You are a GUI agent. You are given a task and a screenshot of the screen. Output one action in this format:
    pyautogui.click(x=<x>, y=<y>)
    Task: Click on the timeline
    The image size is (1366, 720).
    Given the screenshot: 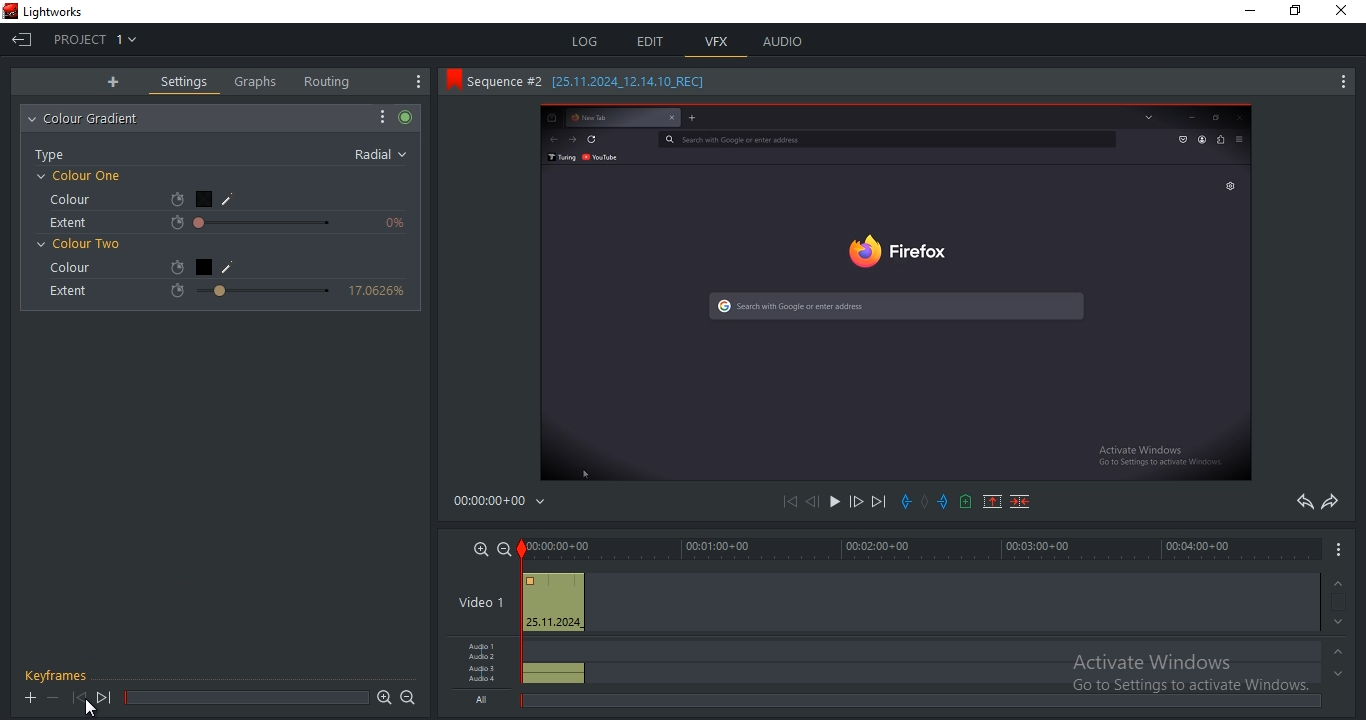 What is the action you would take?
    pyautogui.click(x=921, y=548)
    